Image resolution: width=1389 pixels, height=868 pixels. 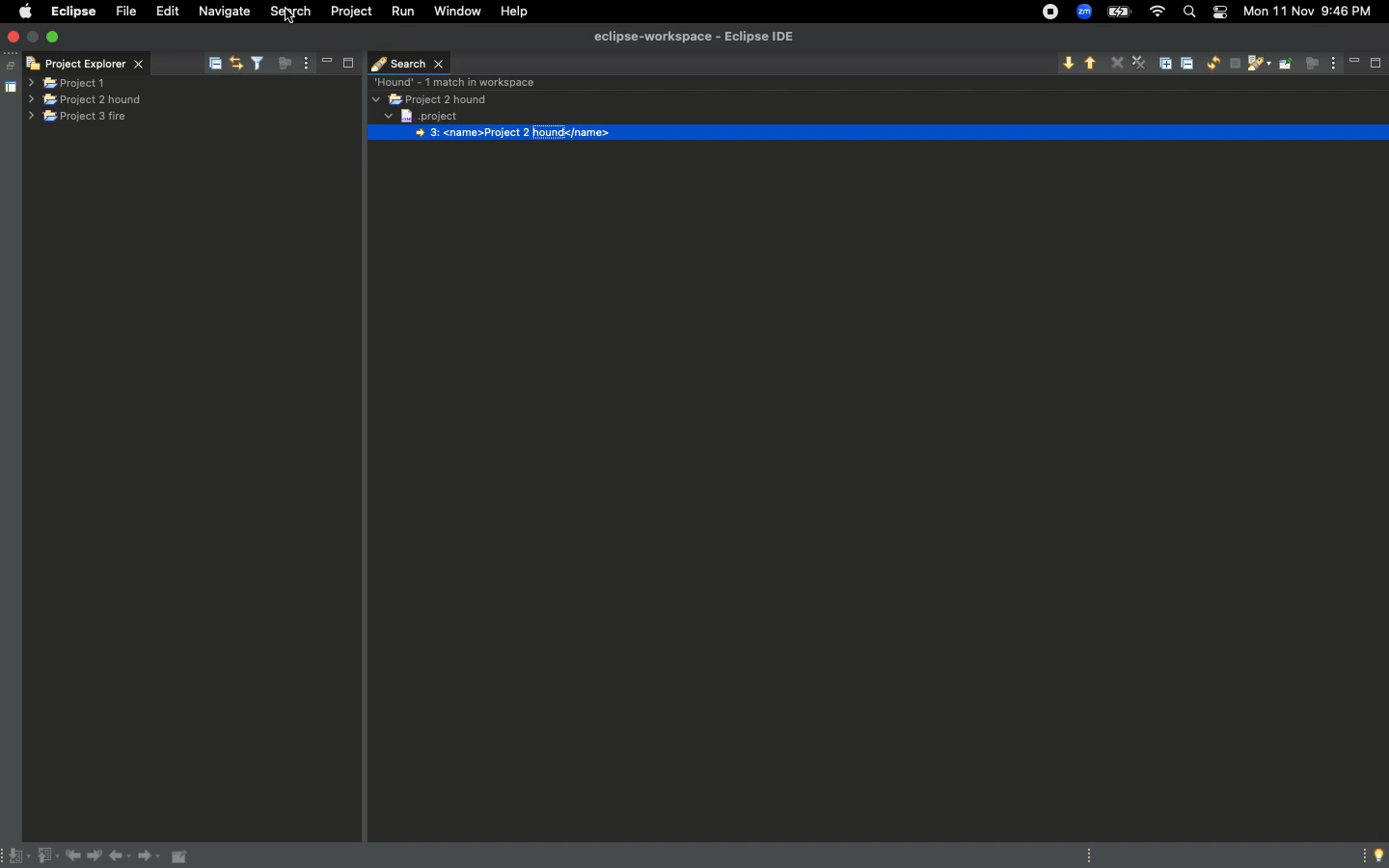 I want to click on filter, so click(x=258, y=63).